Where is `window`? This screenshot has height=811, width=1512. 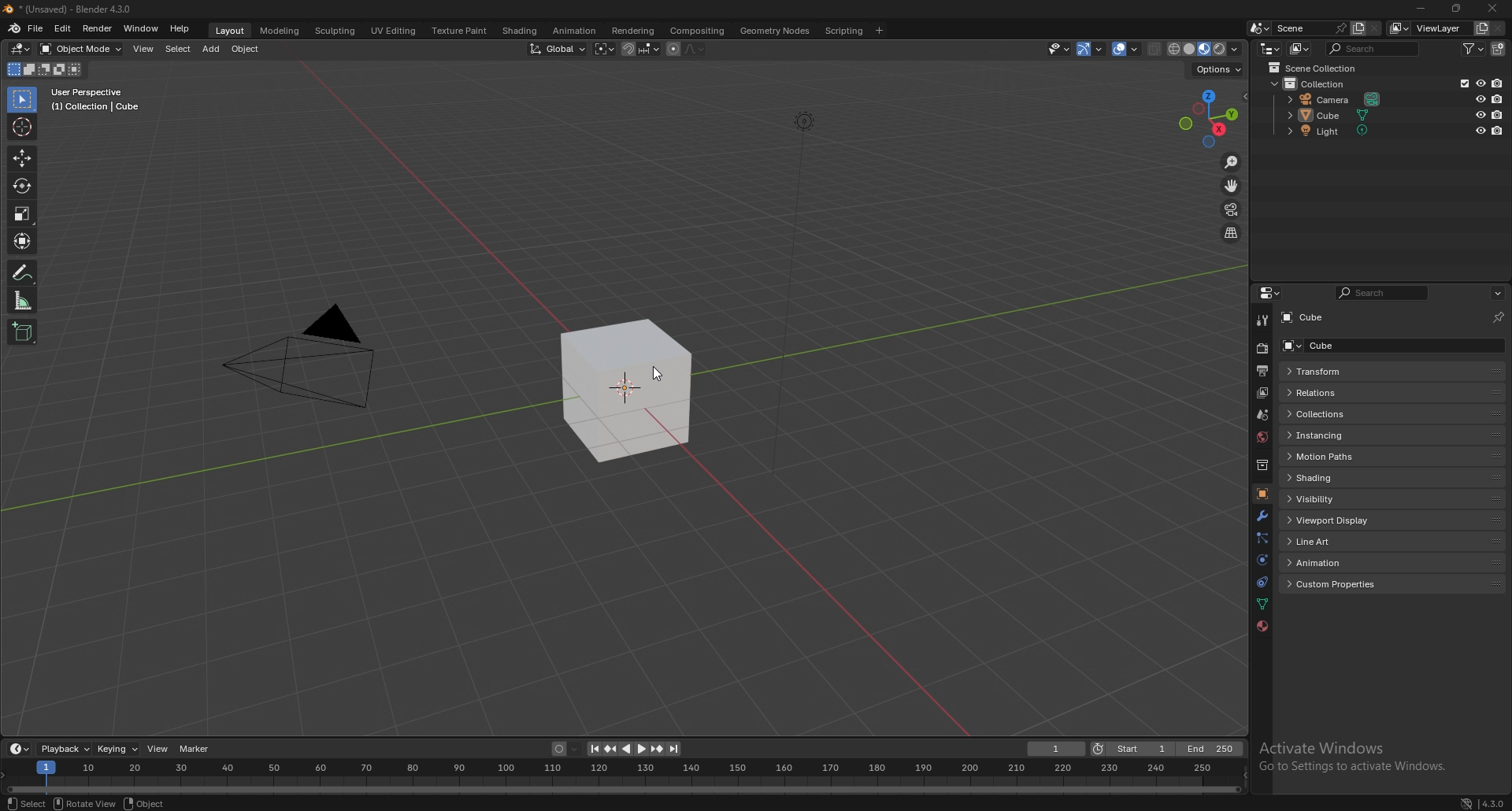
window is located at coordinates (142, 27).